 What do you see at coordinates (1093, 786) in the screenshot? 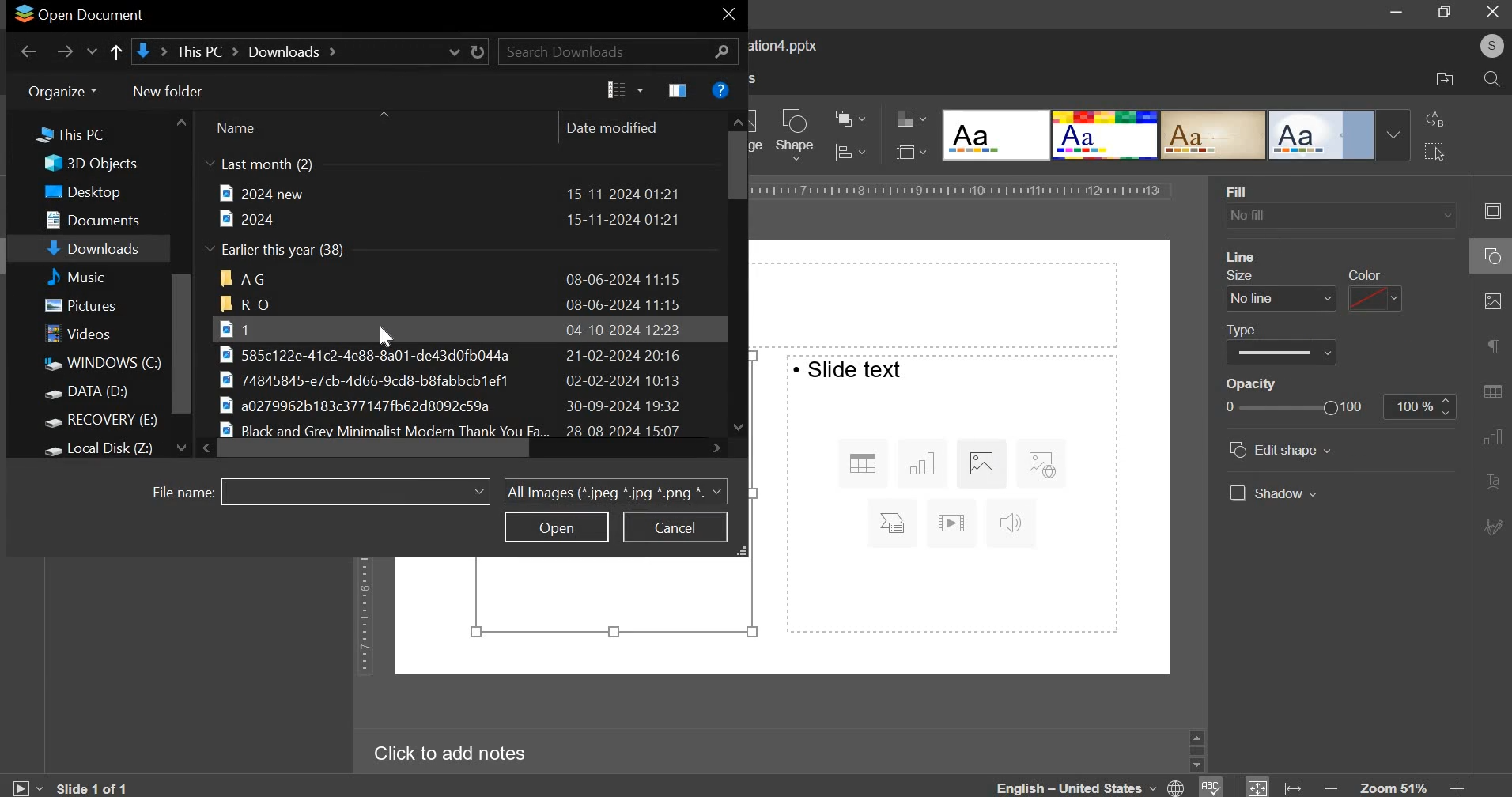
I see `language` at bounding box center [1093, 786].